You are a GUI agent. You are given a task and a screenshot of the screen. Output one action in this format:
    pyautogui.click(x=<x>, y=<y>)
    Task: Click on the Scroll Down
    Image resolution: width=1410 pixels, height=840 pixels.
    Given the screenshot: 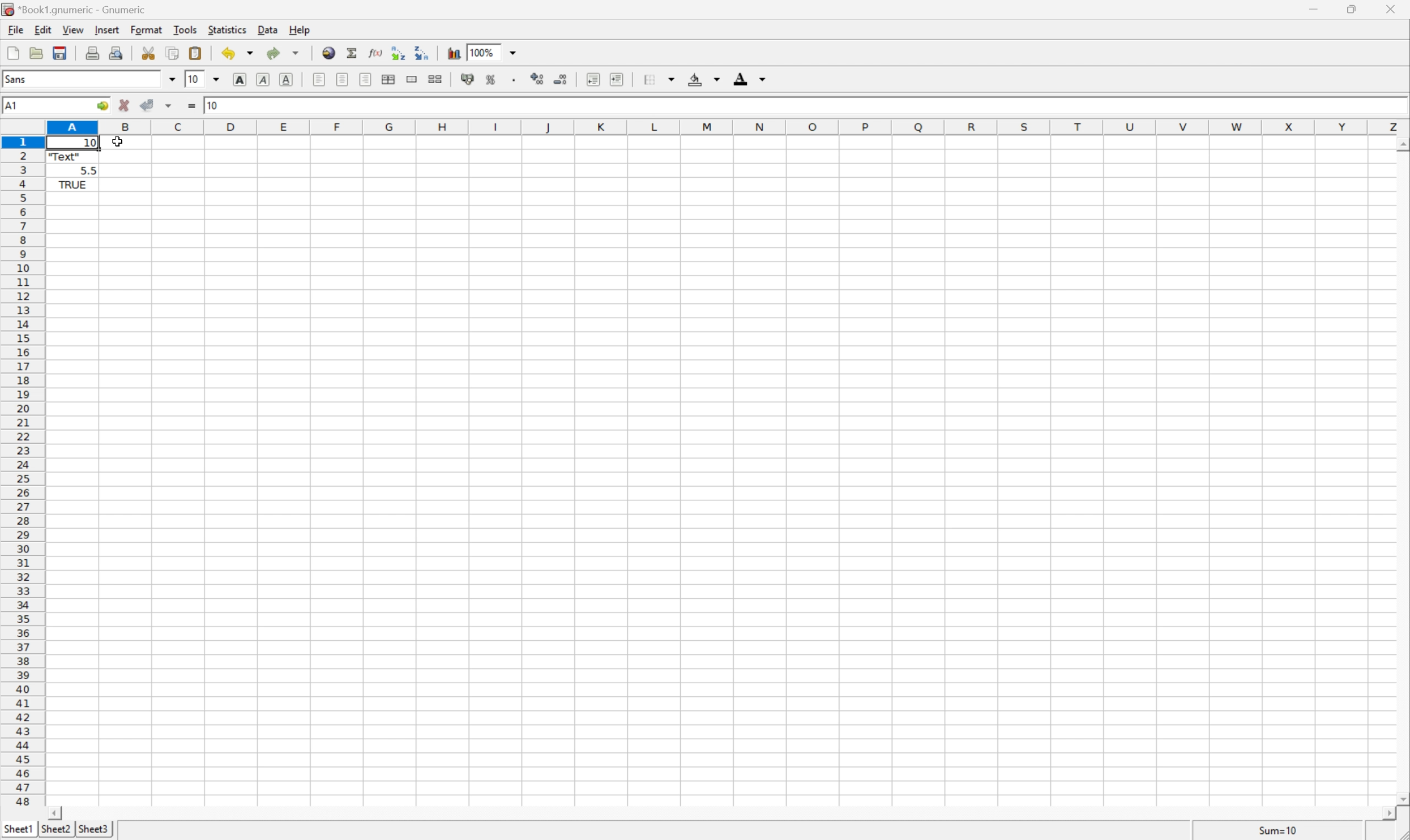 What is the action you would take?
    pyautogui.click(x=1401, y=794)
    